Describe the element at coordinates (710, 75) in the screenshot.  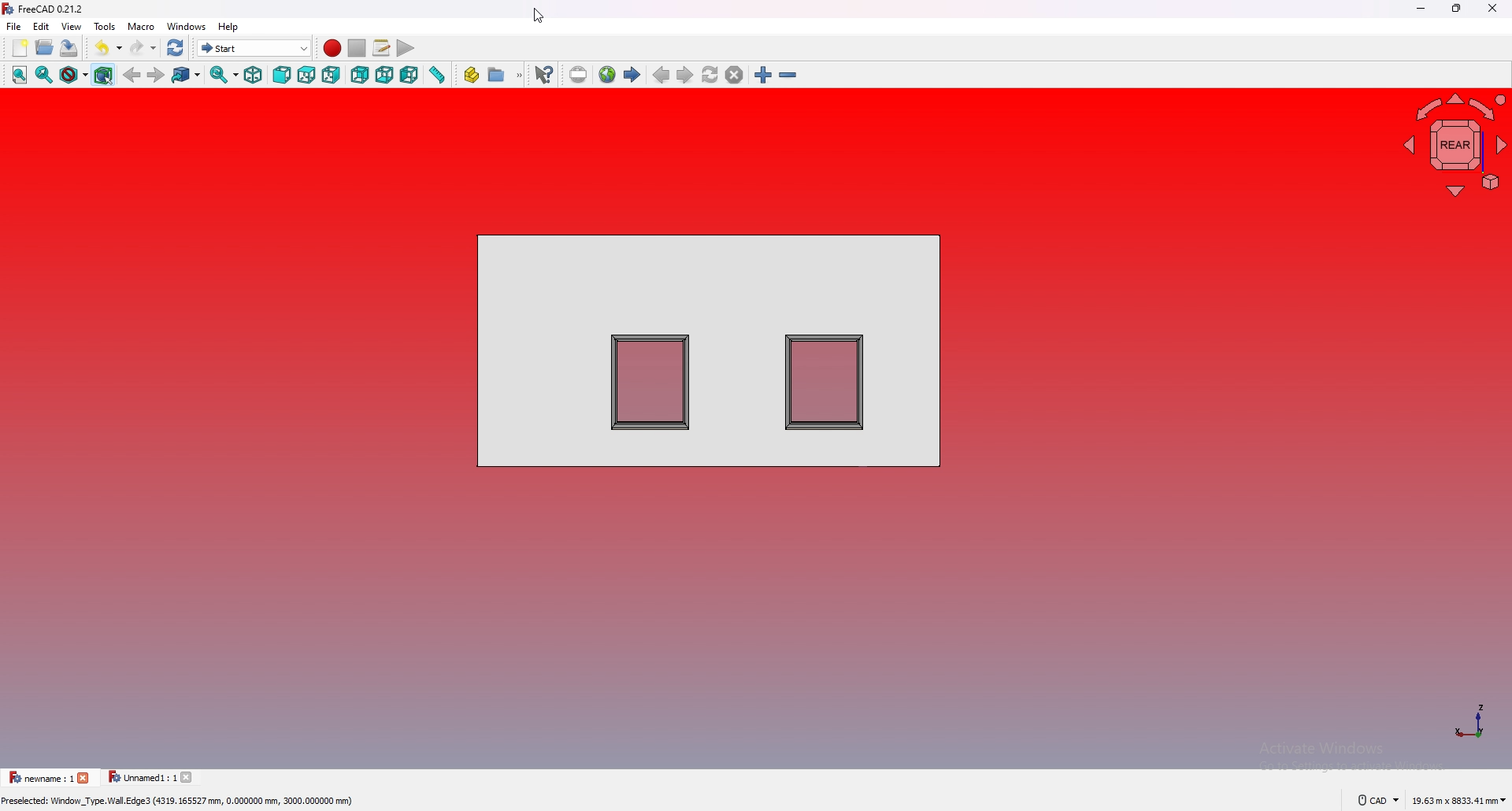
I see `reload page` at that location.